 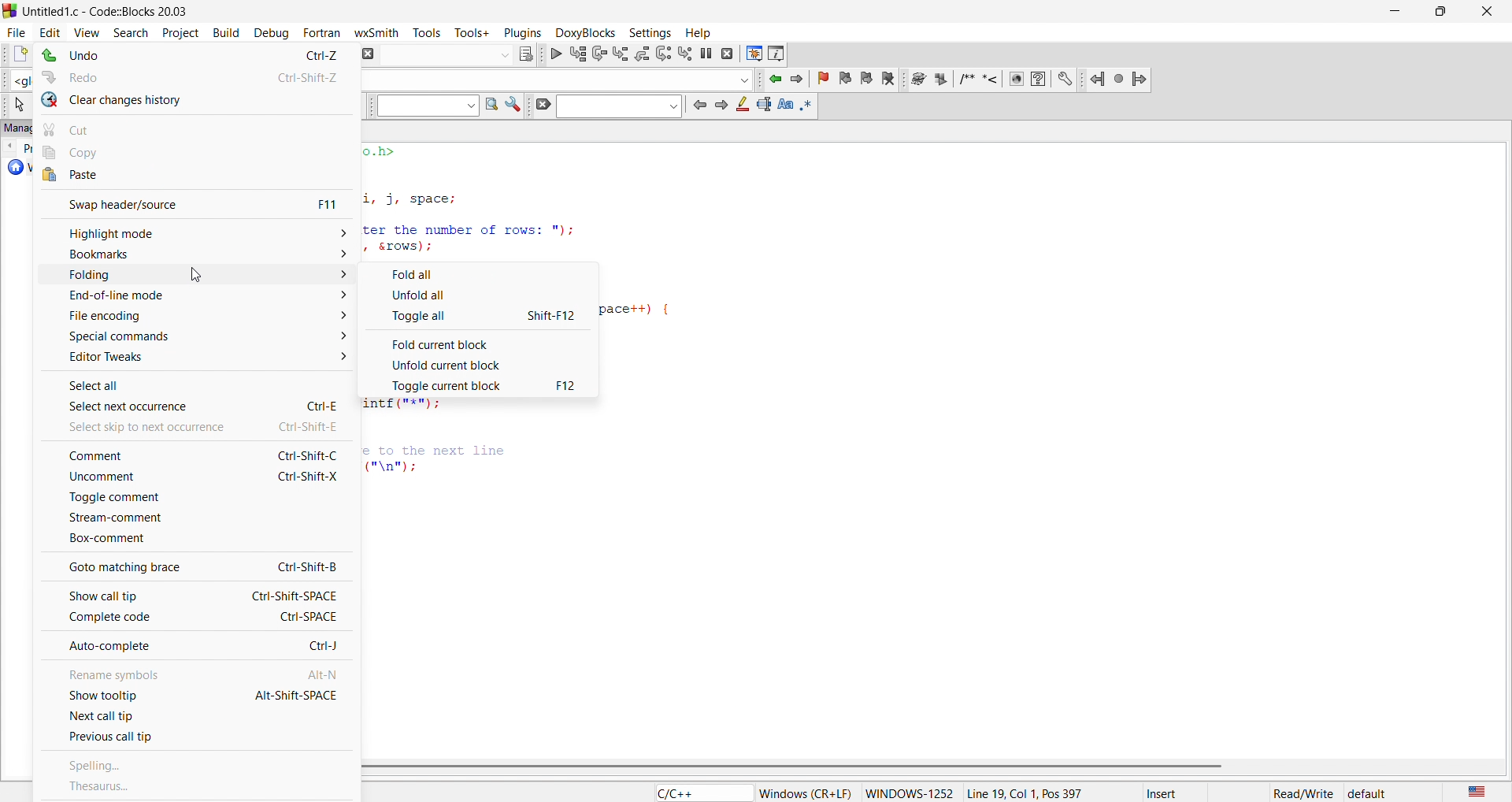 What do you see at coordinates (598, 55) in the screenshot?
I see `next line` at bounding box center [598, 55].